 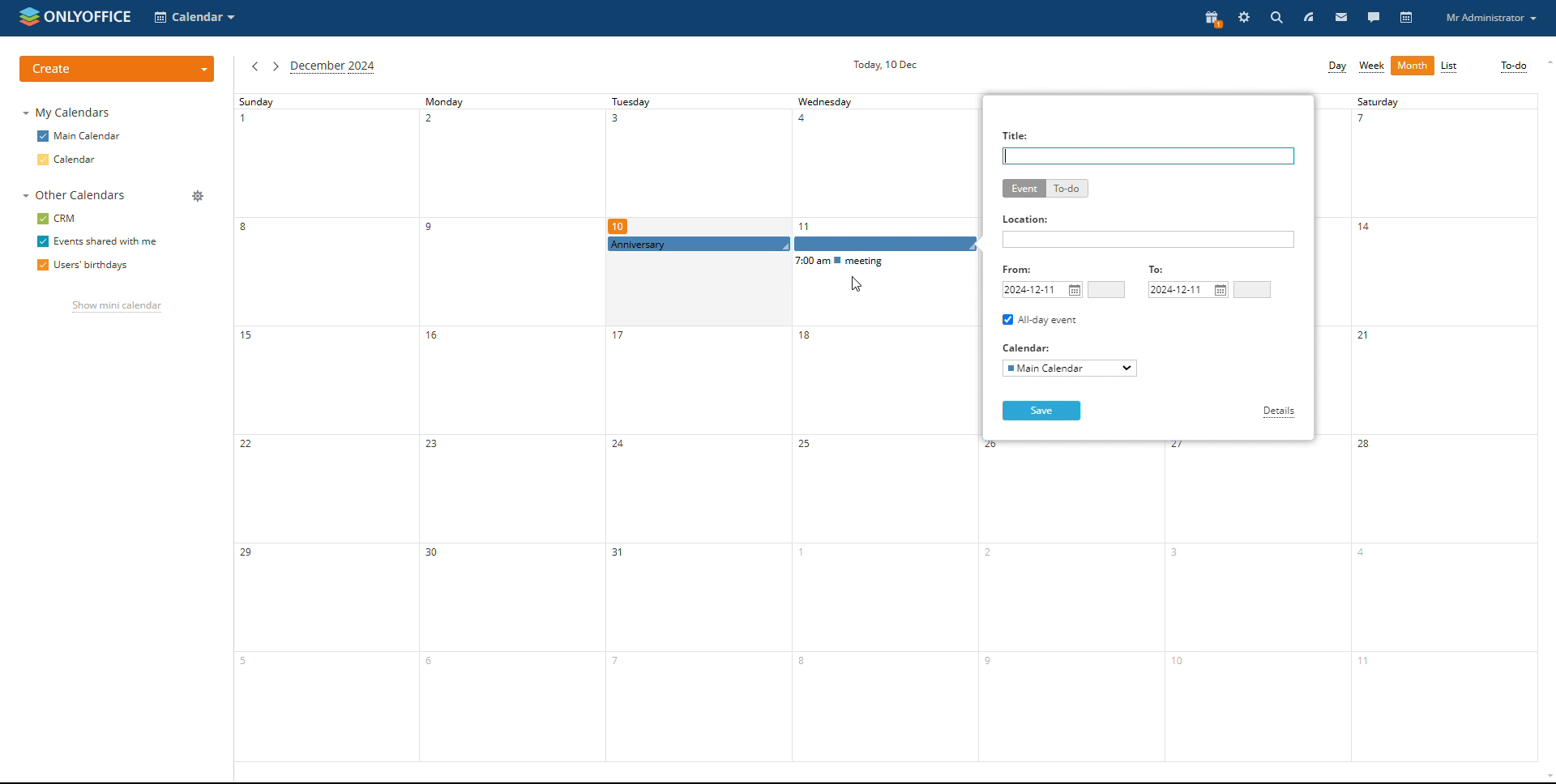 I want to click on search, so click(x=1275, y=18).